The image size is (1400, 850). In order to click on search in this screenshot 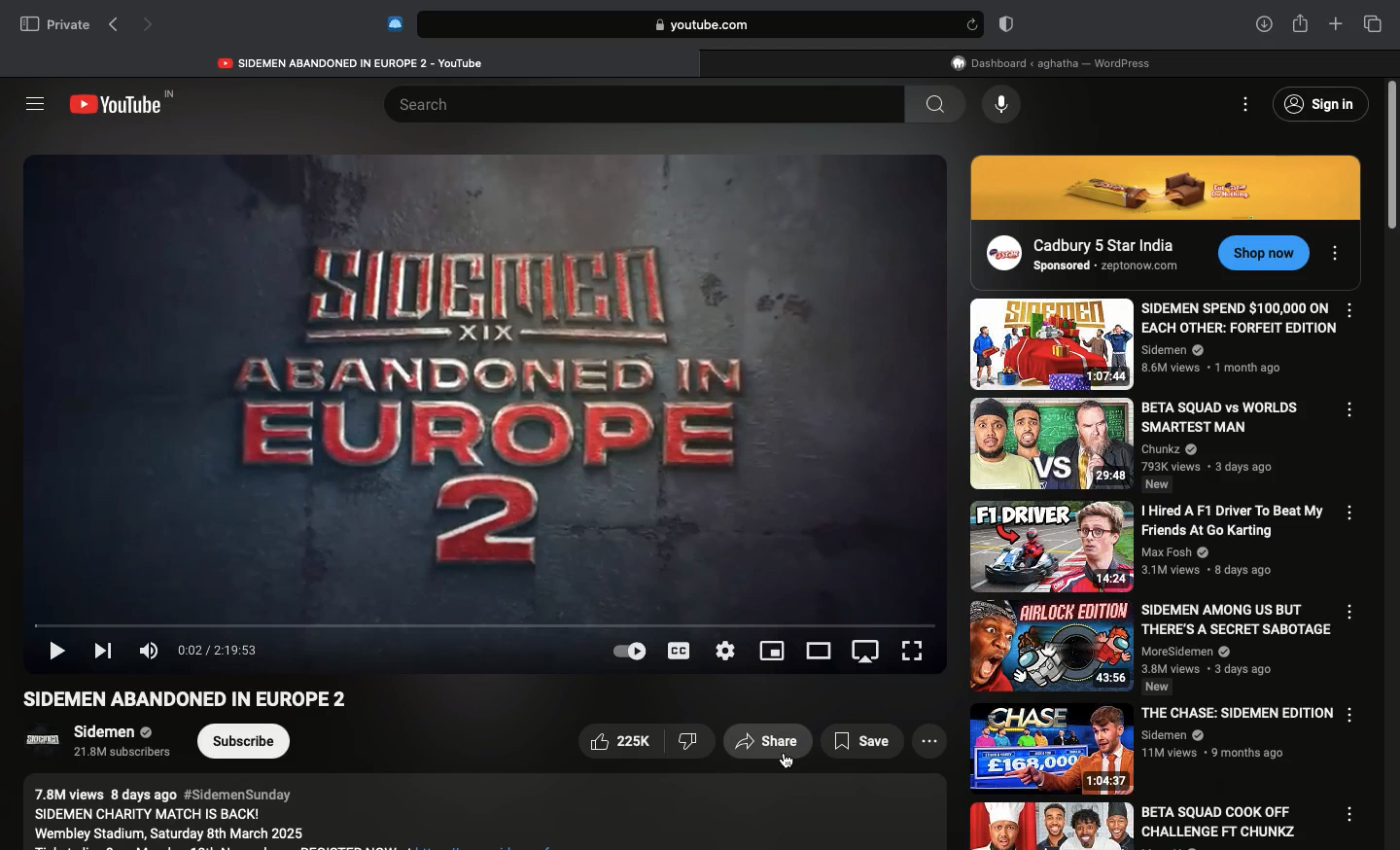, I will do `click(933, 104)`.